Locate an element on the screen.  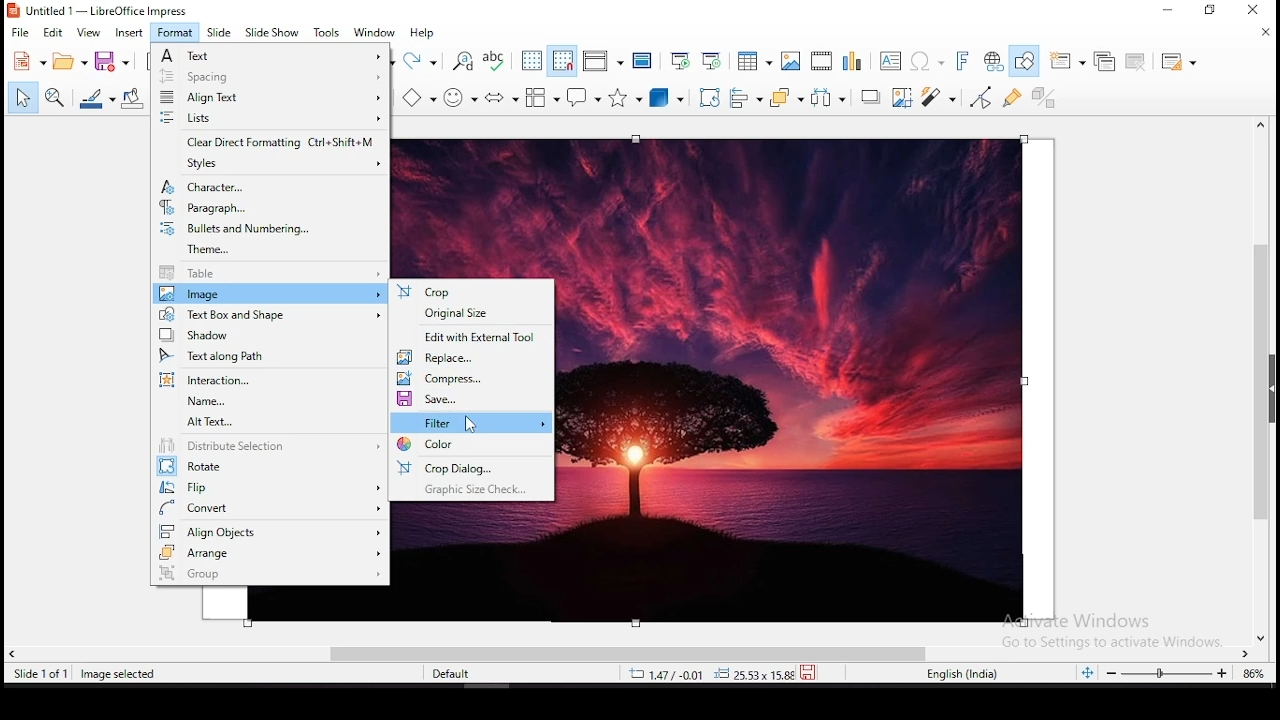
scroll bar is located at coordinates (1267, 380).